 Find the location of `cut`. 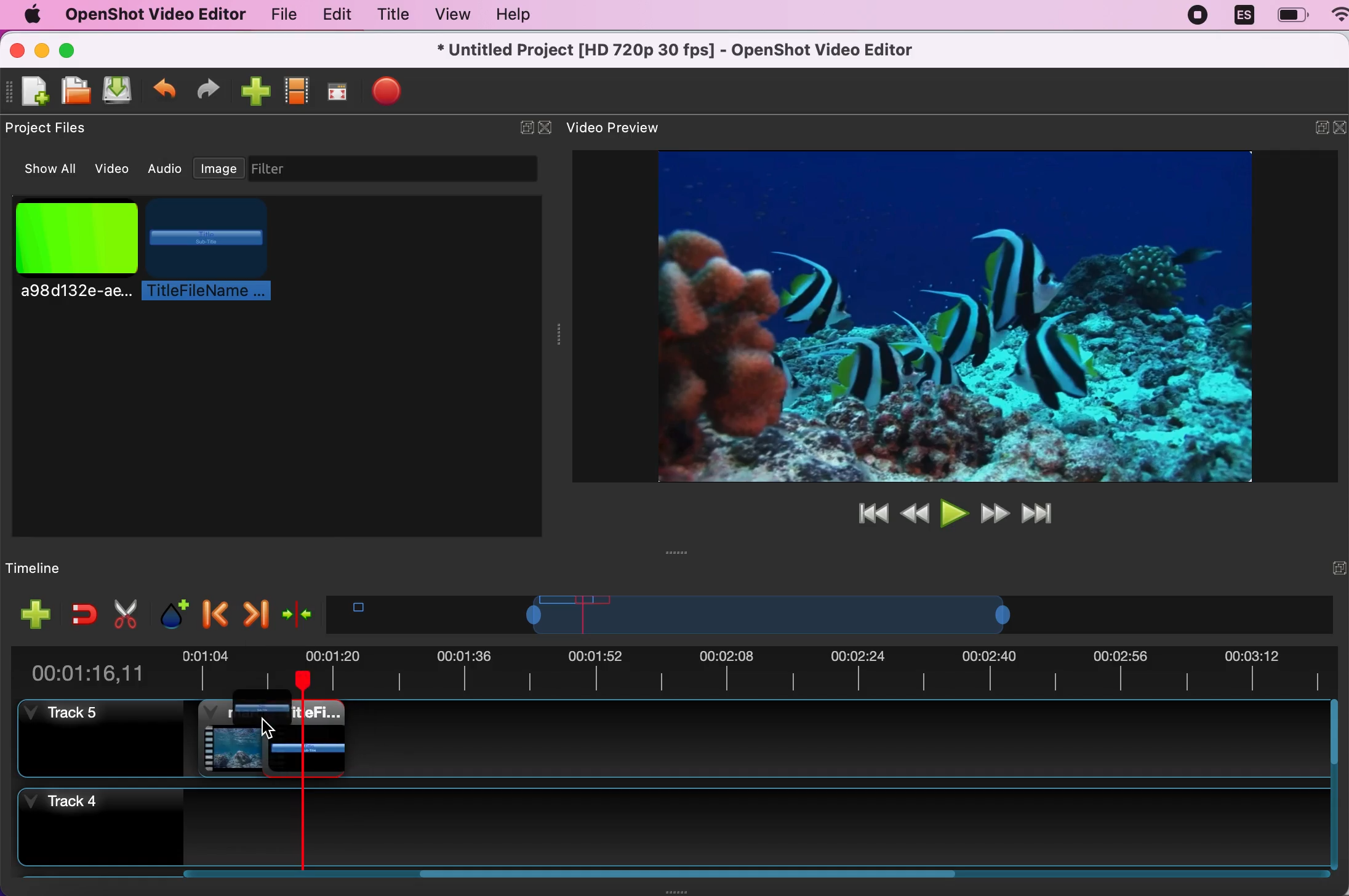

cut is located at coordinates (124, 614).